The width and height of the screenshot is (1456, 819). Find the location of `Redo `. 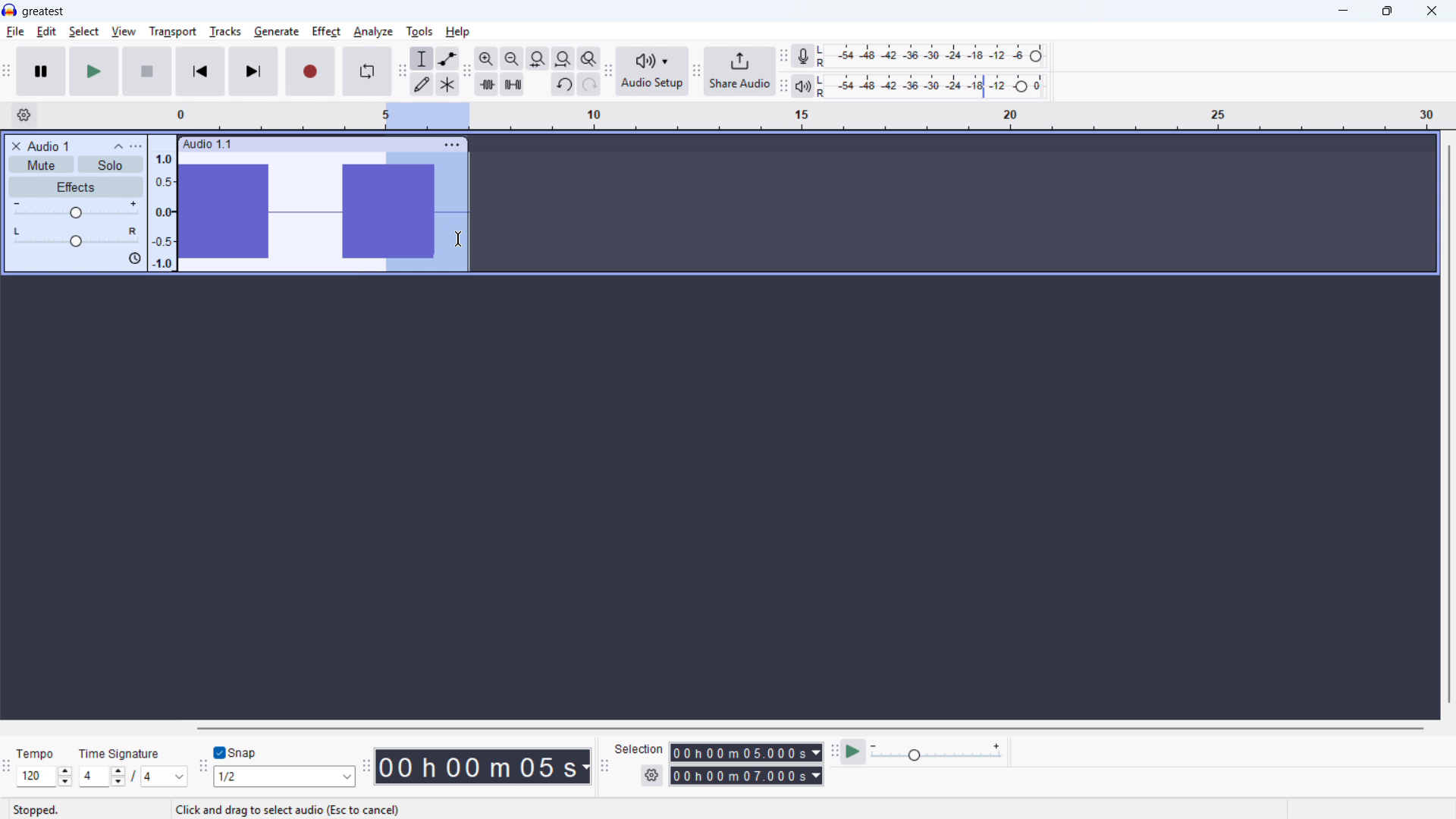

Redo  is located at coordinates (588, 84).